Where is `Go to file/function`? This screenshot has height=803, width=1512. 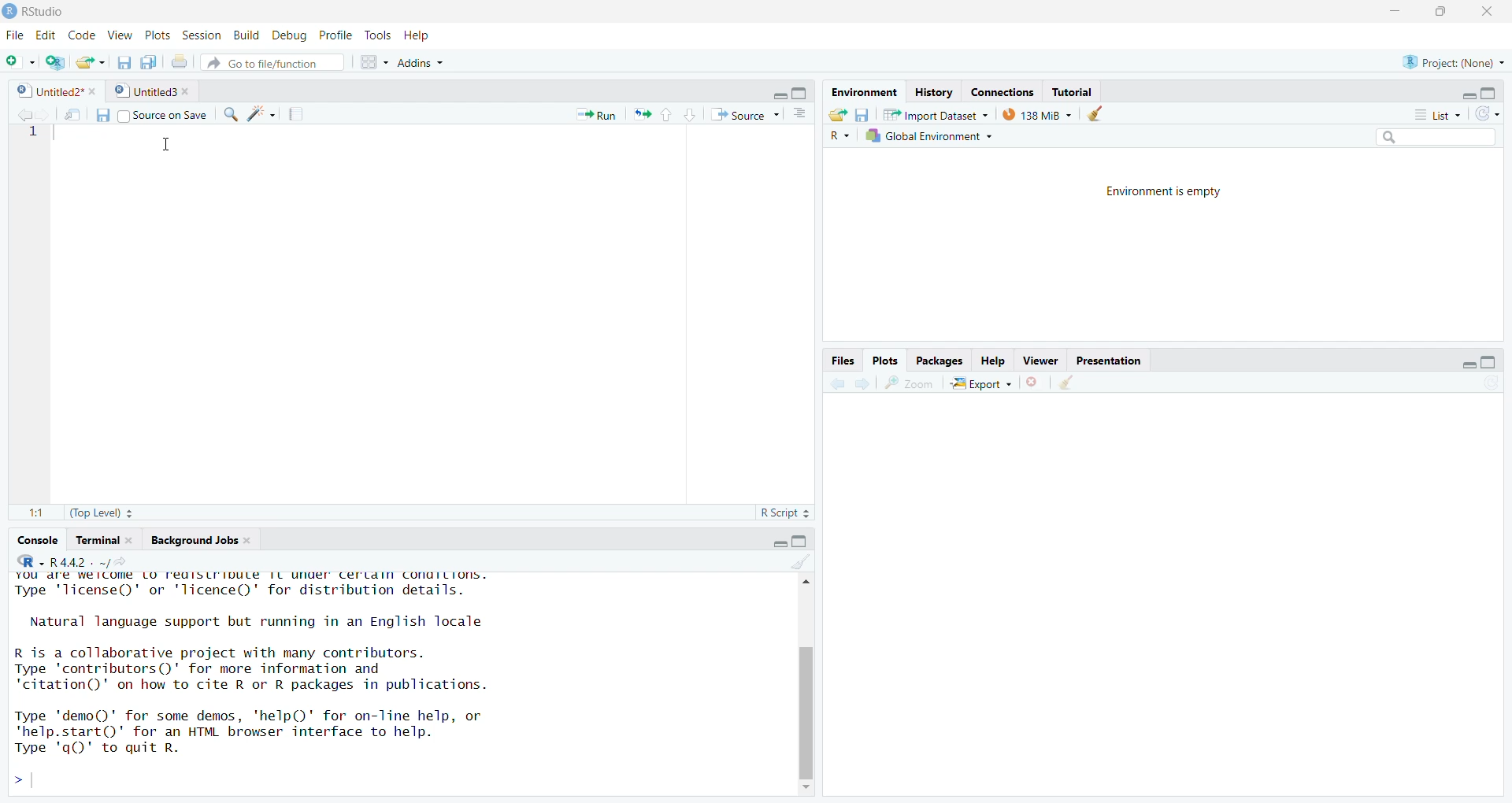 Go to file/function is located at coordinates (272, 62).